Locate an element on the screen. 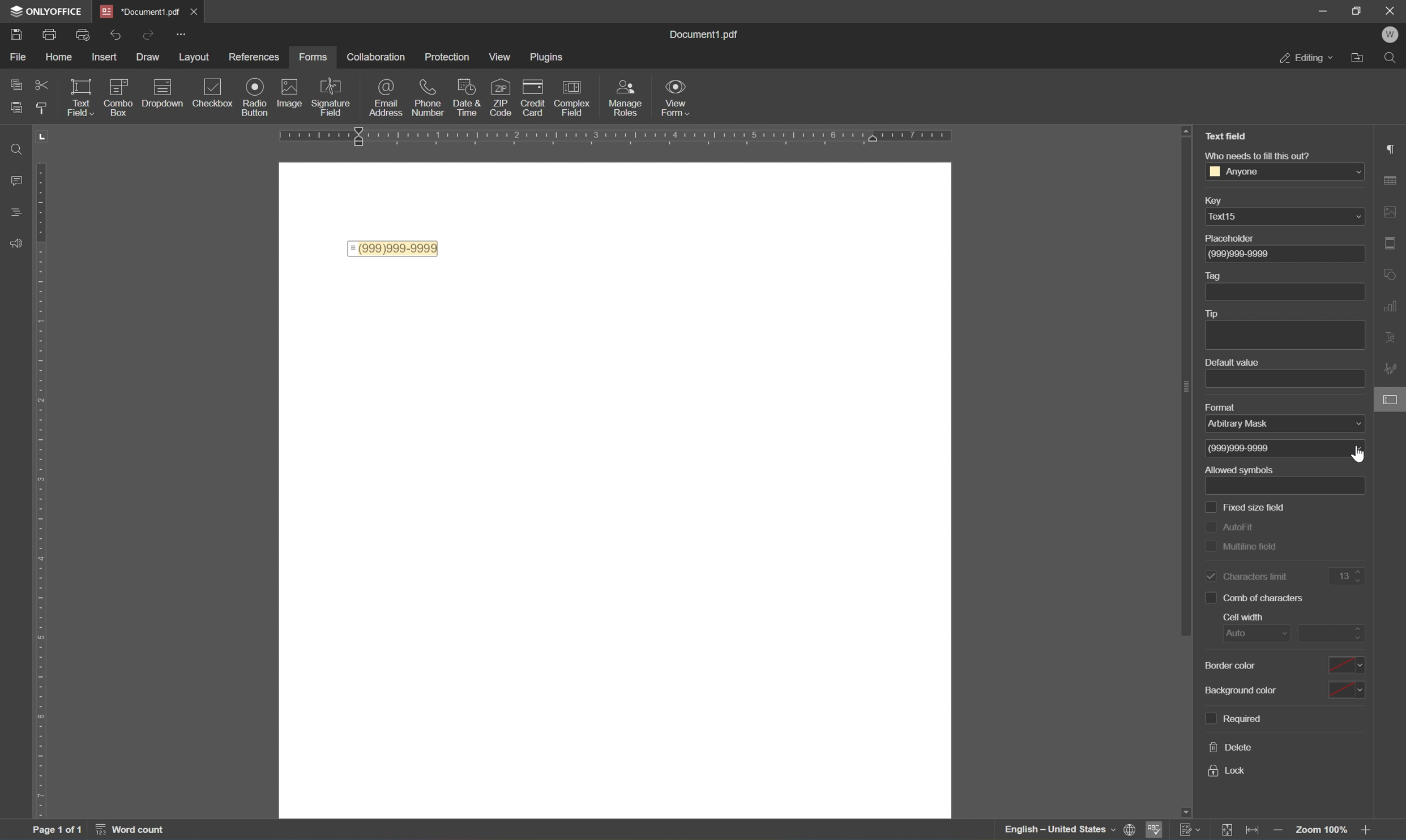  set document language is located at coordinates (1131, 829).